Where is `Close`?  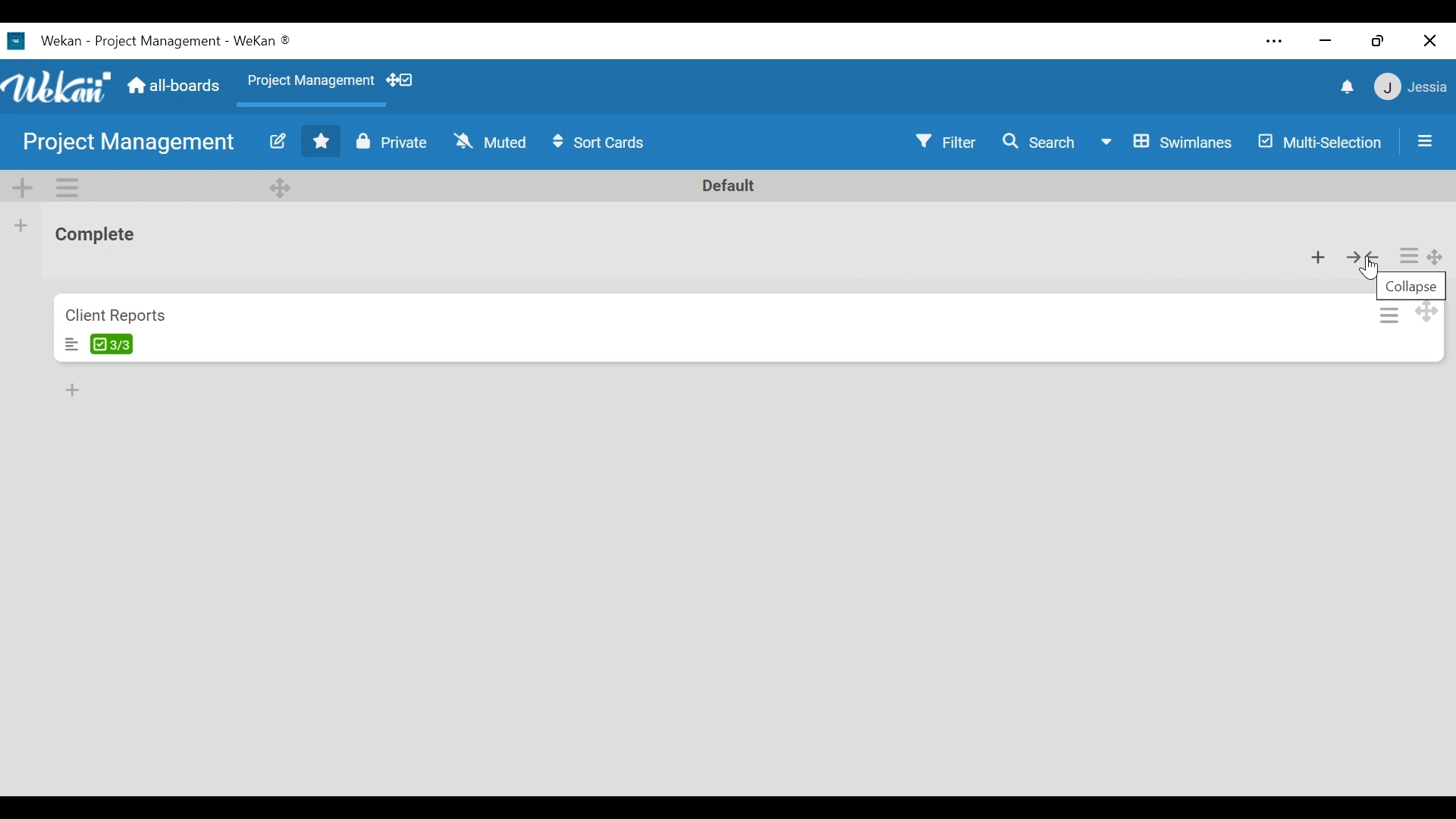 Close is located at coordinates (1431, 39).